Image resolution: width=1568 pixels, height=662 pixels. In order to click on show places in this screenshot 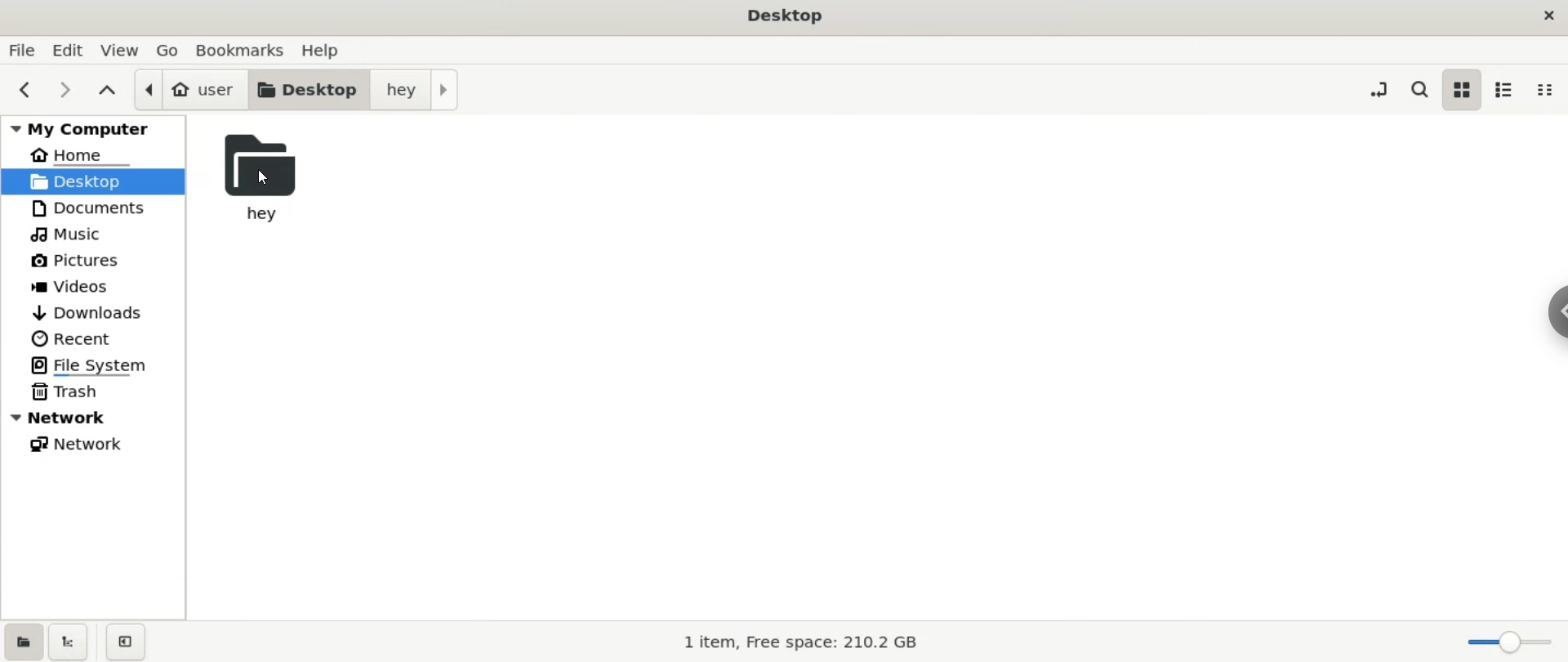, I will do `click(23, 643)`.